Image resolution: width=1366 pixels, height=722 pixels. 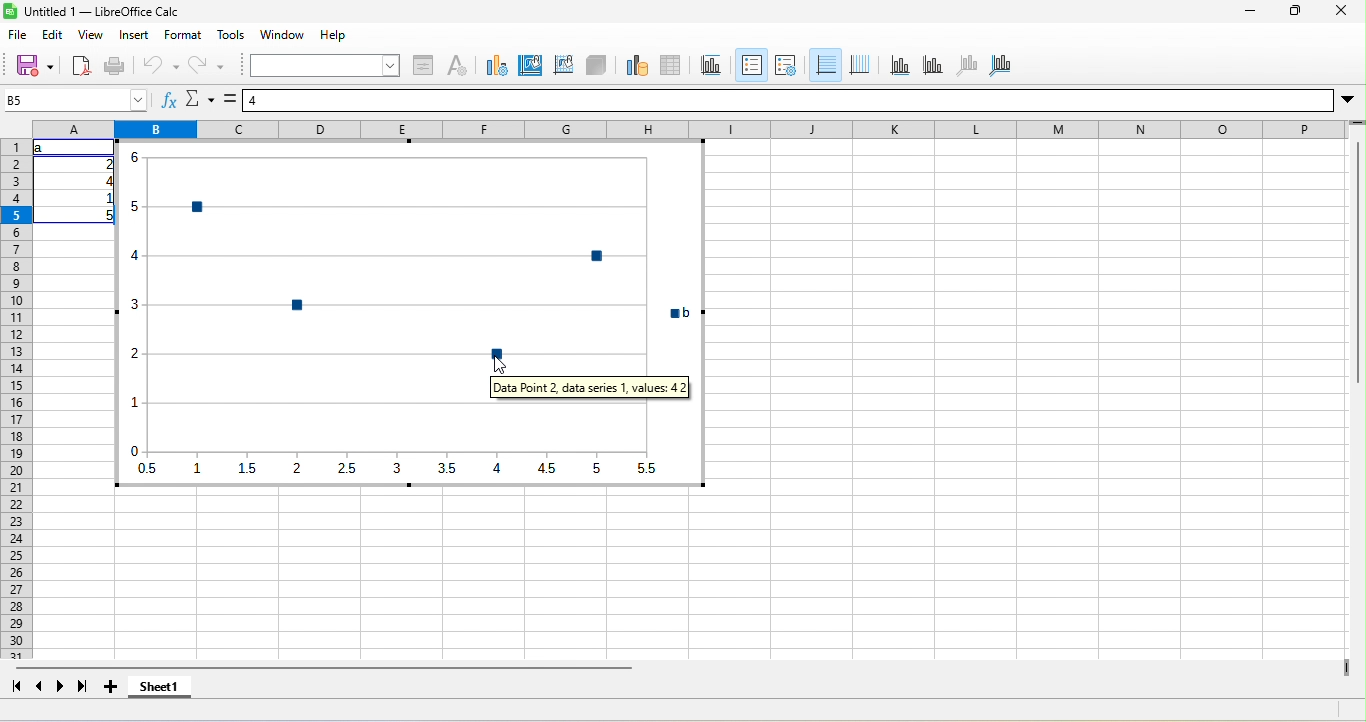 What do you see at coordinates (230, 99) in the screenshot?
I see `formula` at bounding box center [230, 99].